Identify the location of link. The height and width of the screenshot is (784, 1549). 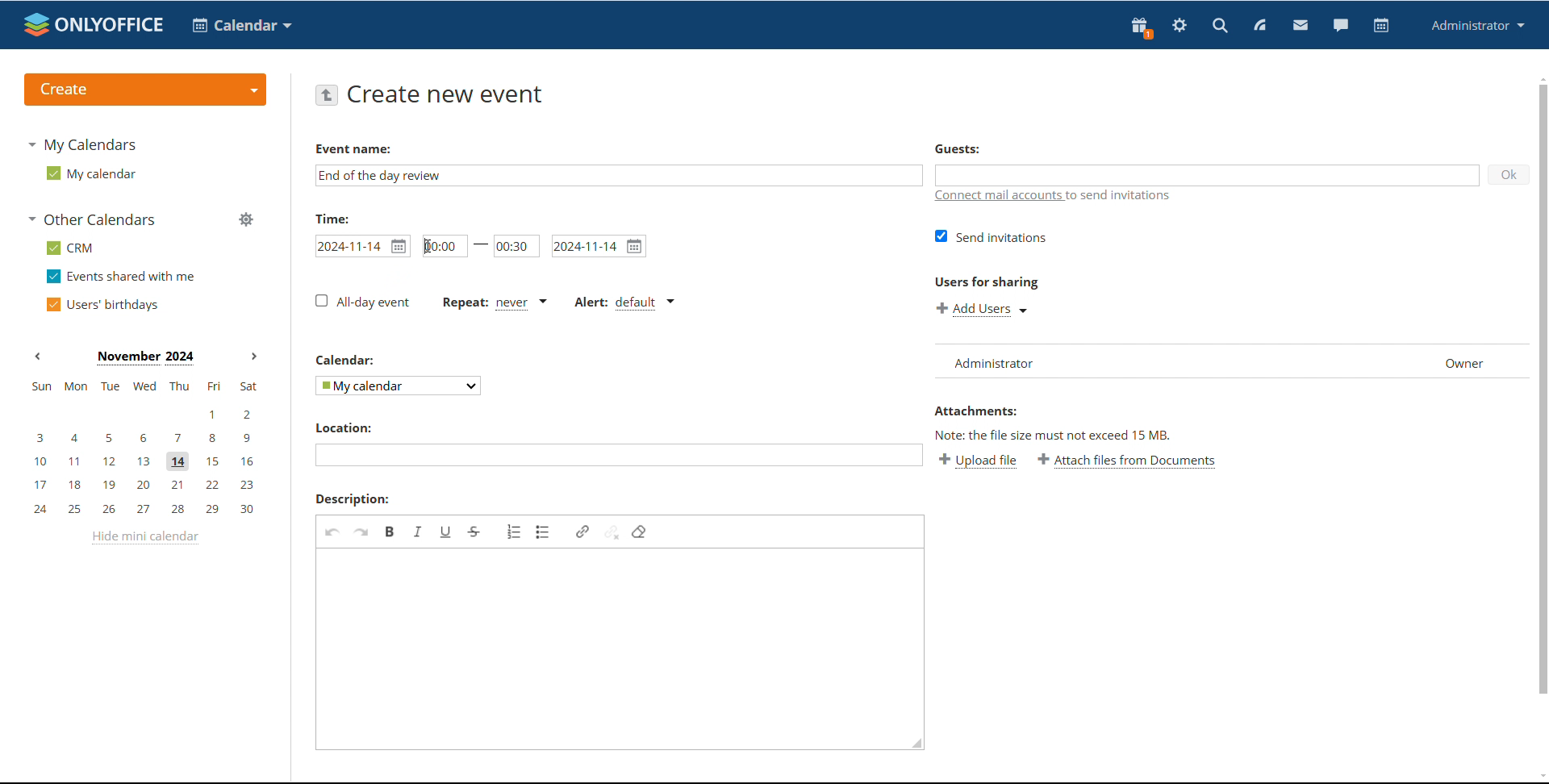
(582, 532).